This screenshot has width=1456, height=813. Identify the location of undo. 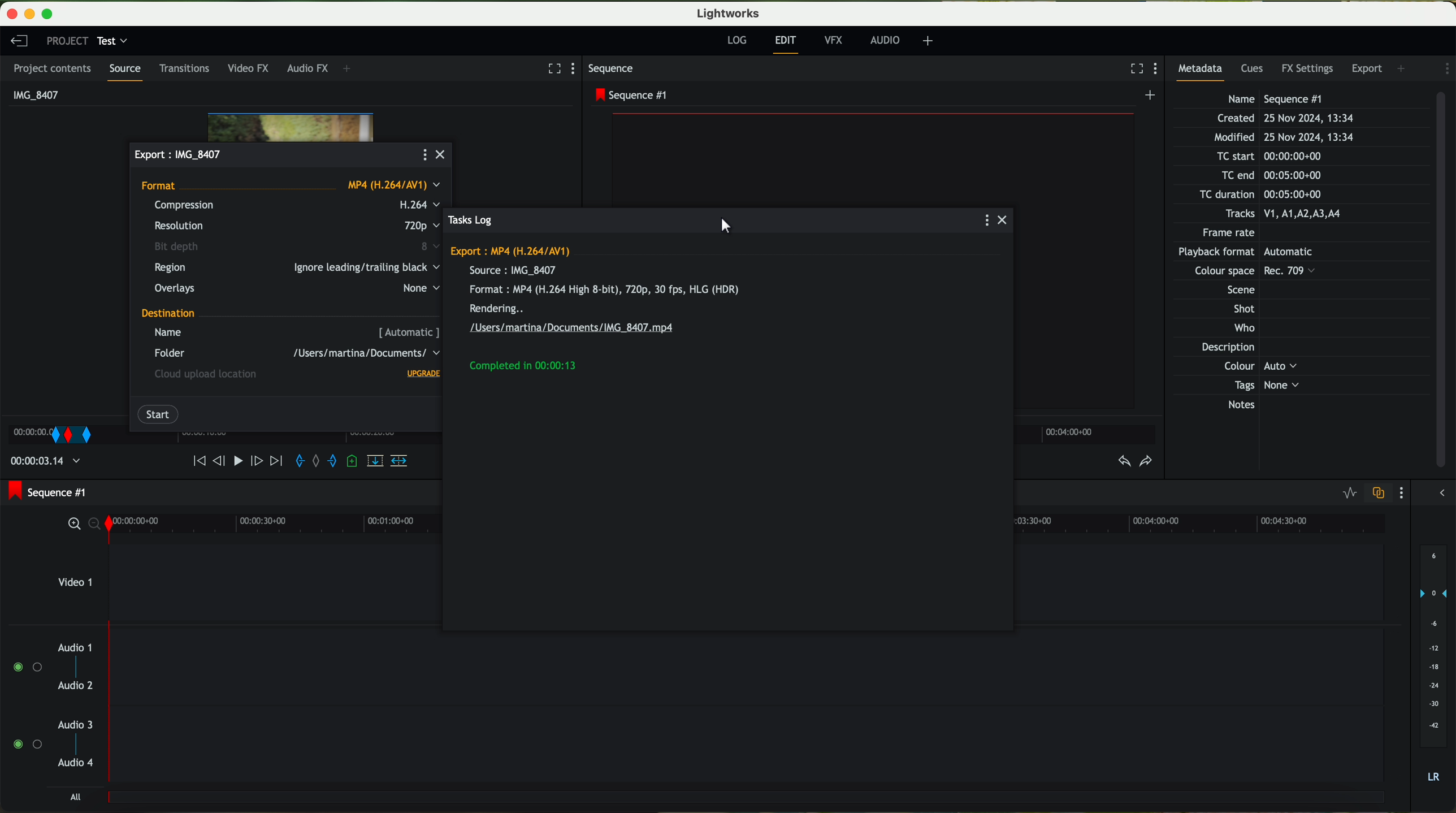
(1123, 461).